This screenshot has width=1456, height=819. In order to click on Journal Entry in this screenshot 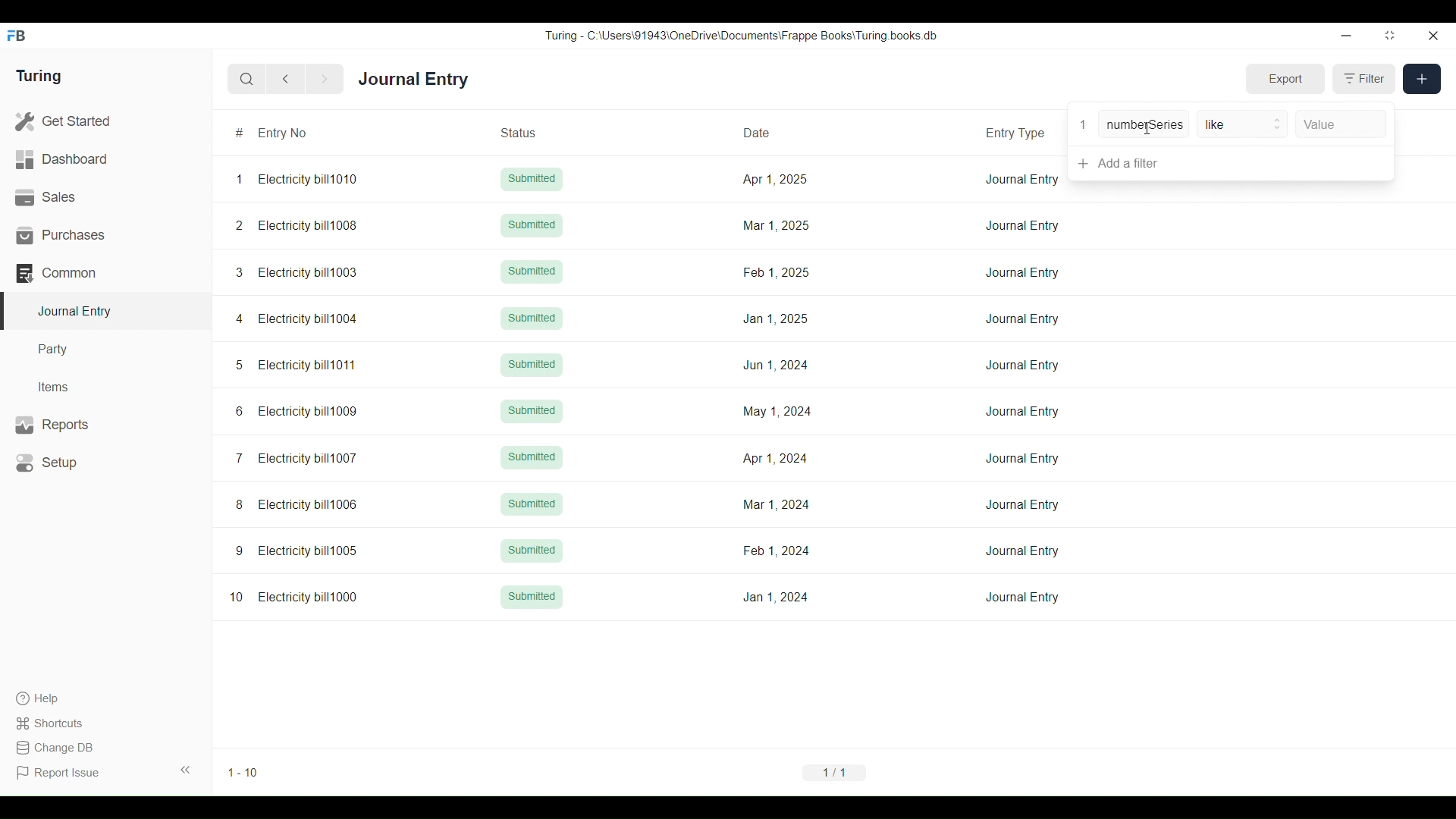, I will do `click(1022, 179)`.